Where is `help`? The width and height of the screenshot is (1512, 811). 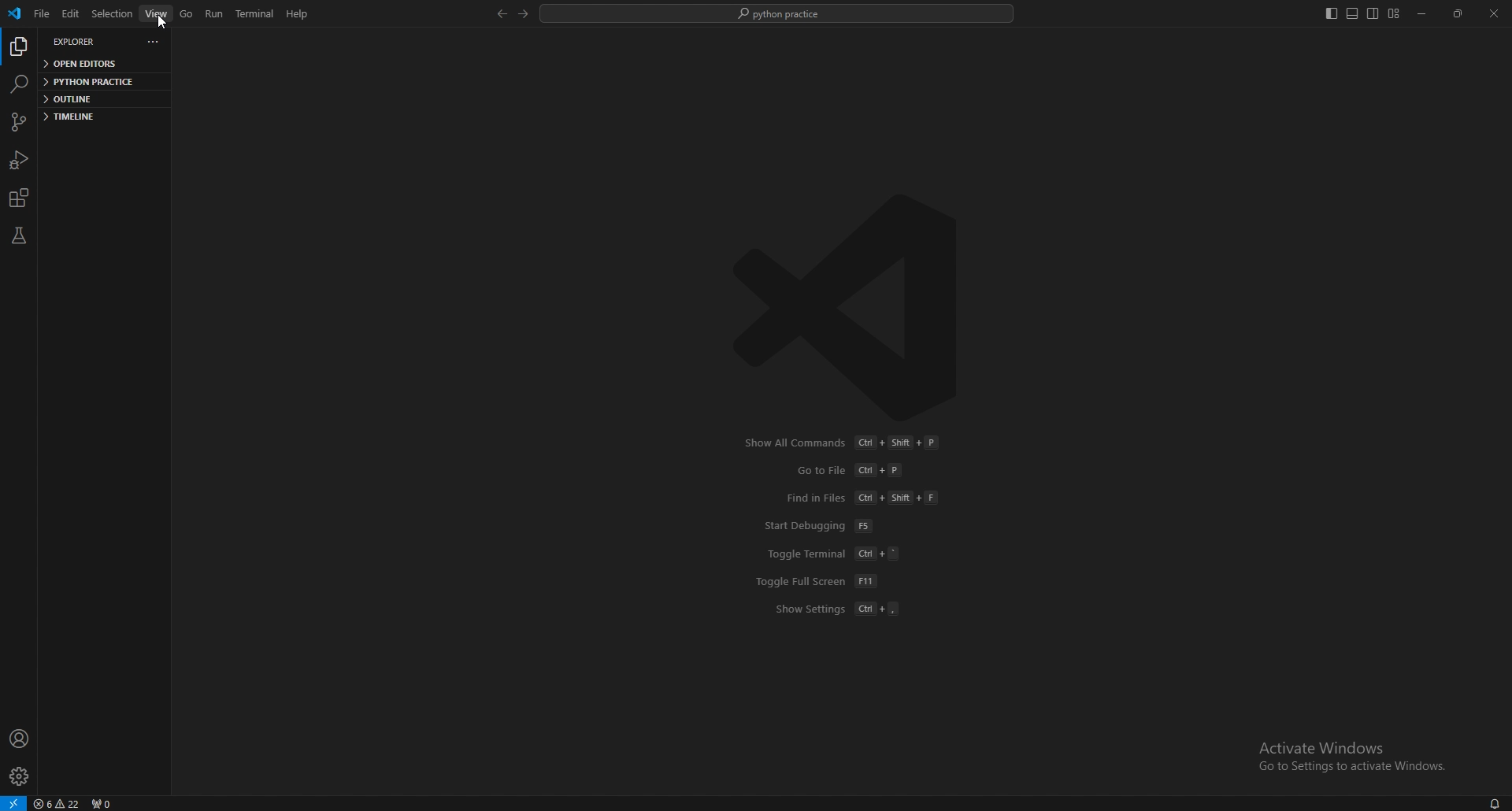 help is located at coordinates (296, 13).